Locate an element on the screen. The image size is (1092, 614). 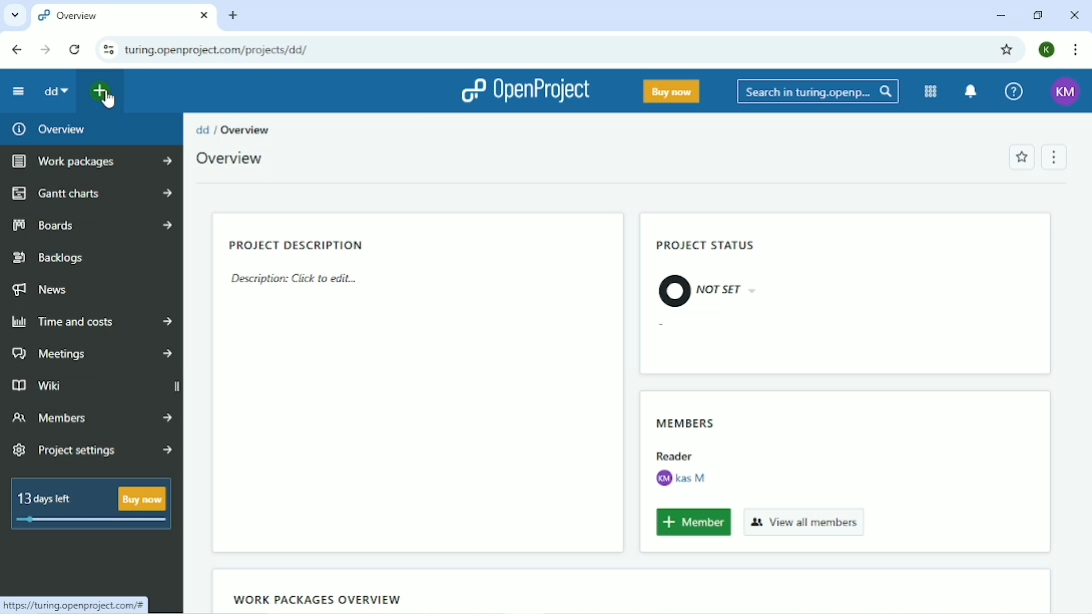
Help is located at coordinates (1014, 91).